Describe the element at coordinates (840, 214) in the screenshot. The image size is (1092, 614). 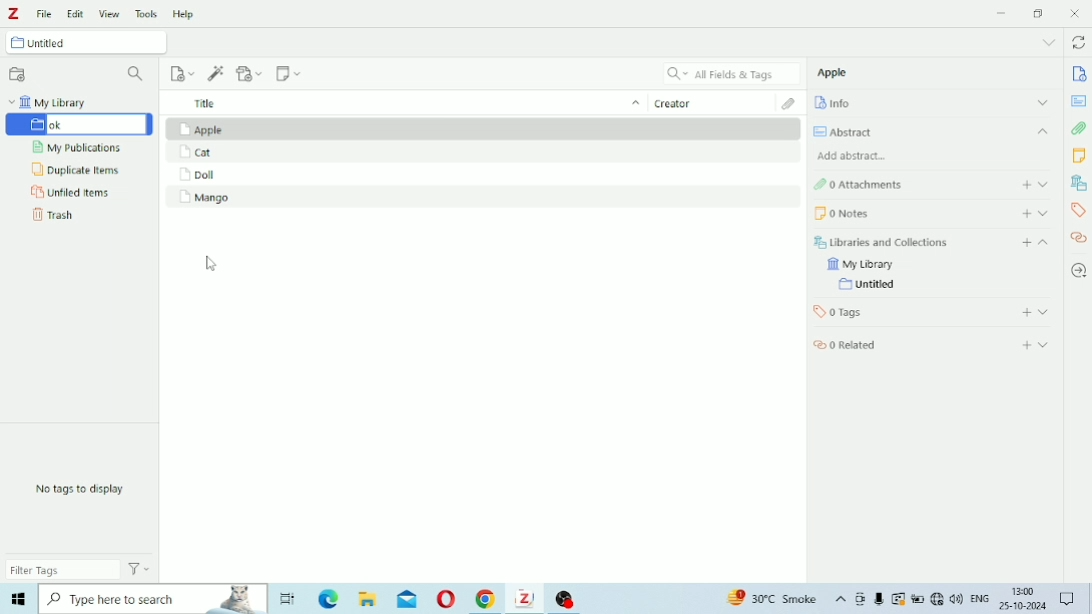
I see `Notes` at that location.